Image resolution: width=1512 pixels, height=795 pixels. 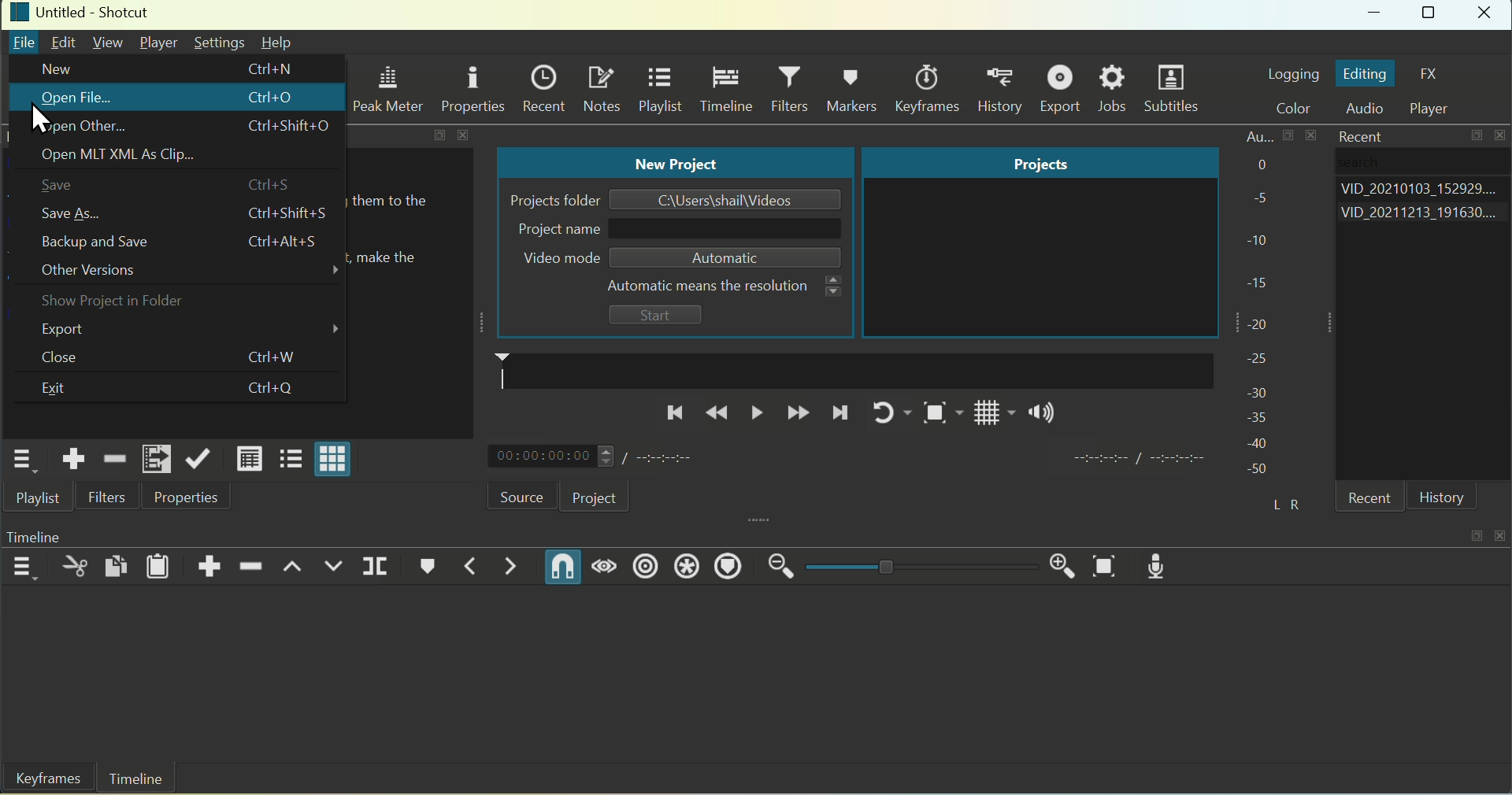 What do you see at coordinates (717, 413) in the screenshot?
I see `Backward` at bounding box center [717, 413].